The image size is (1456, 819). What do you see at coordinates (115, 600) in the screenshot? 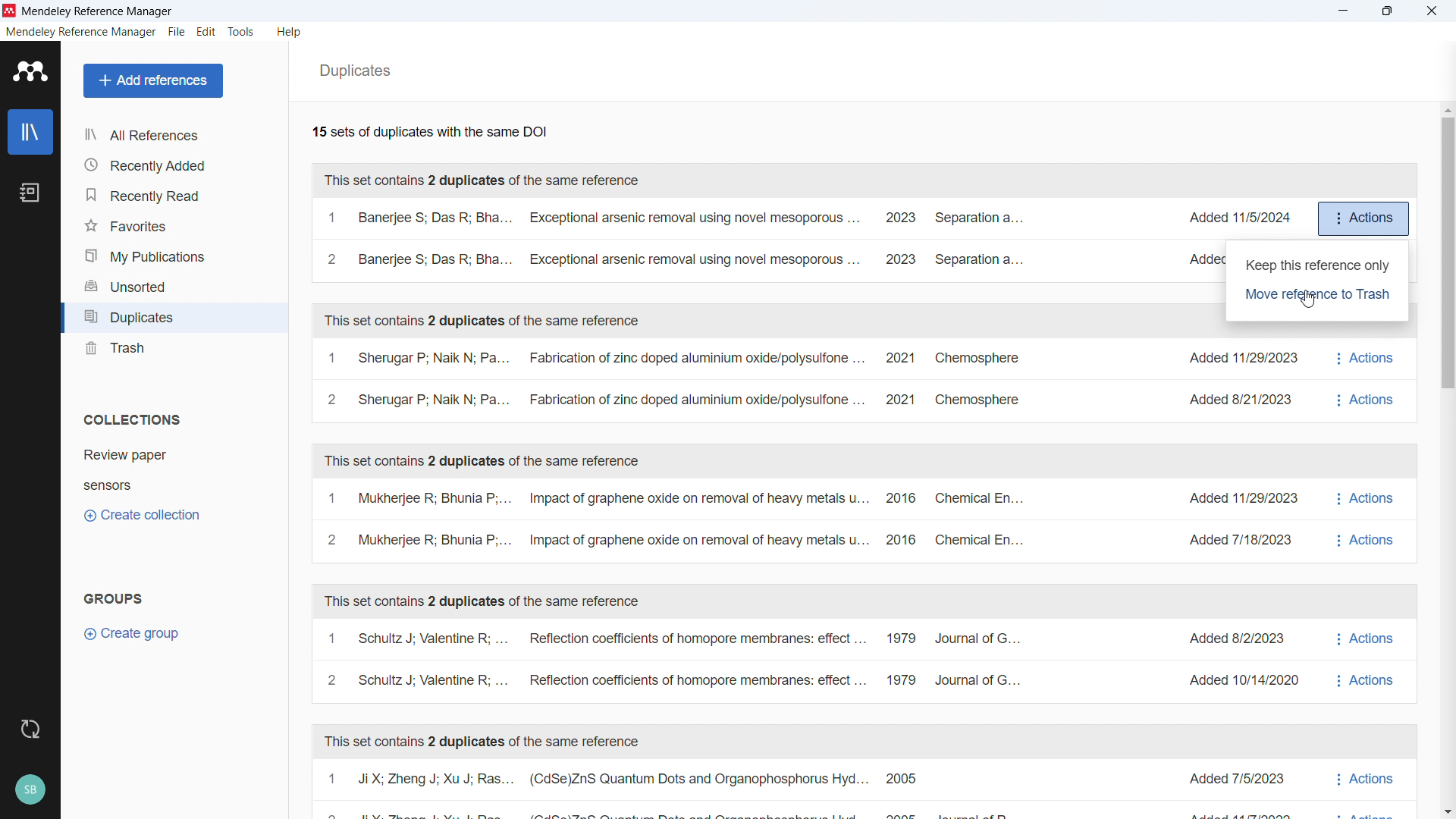
I see `Groups ` at bounding box center [115, 600].